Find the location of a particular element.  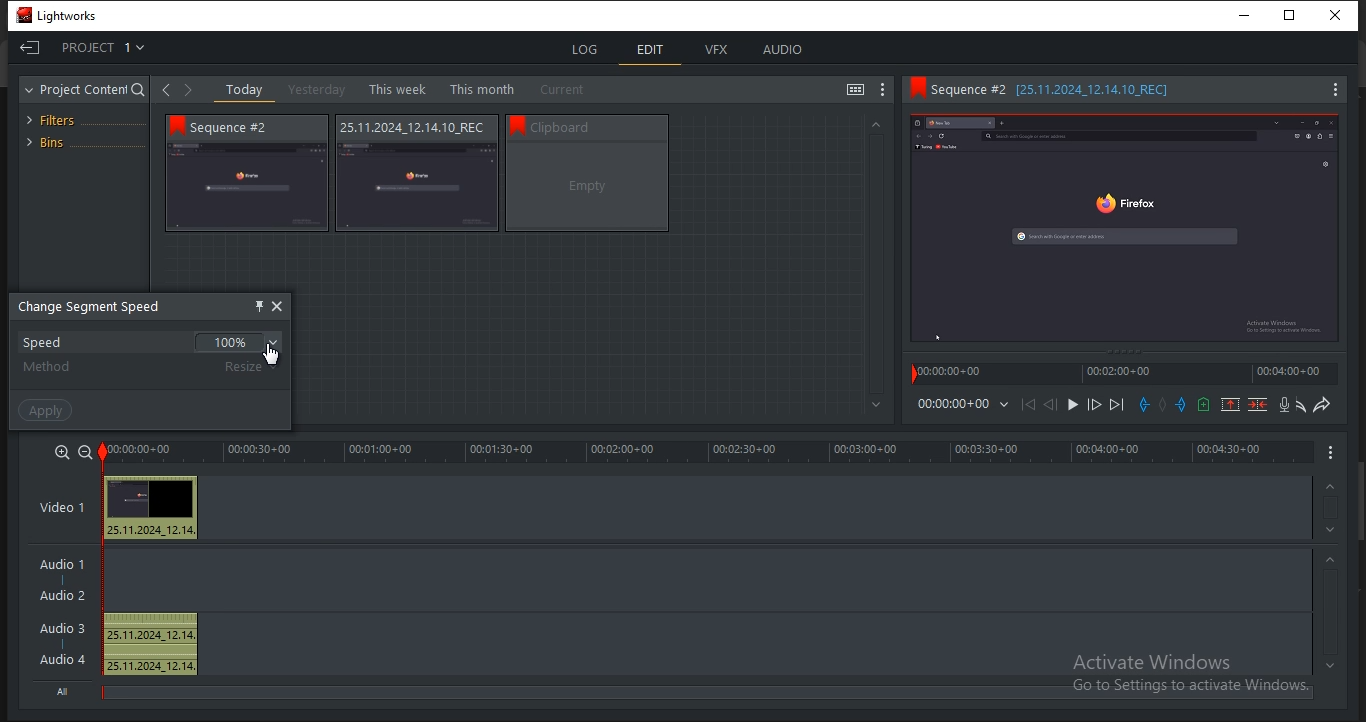

zoom out is located at coordinates (85, 451).